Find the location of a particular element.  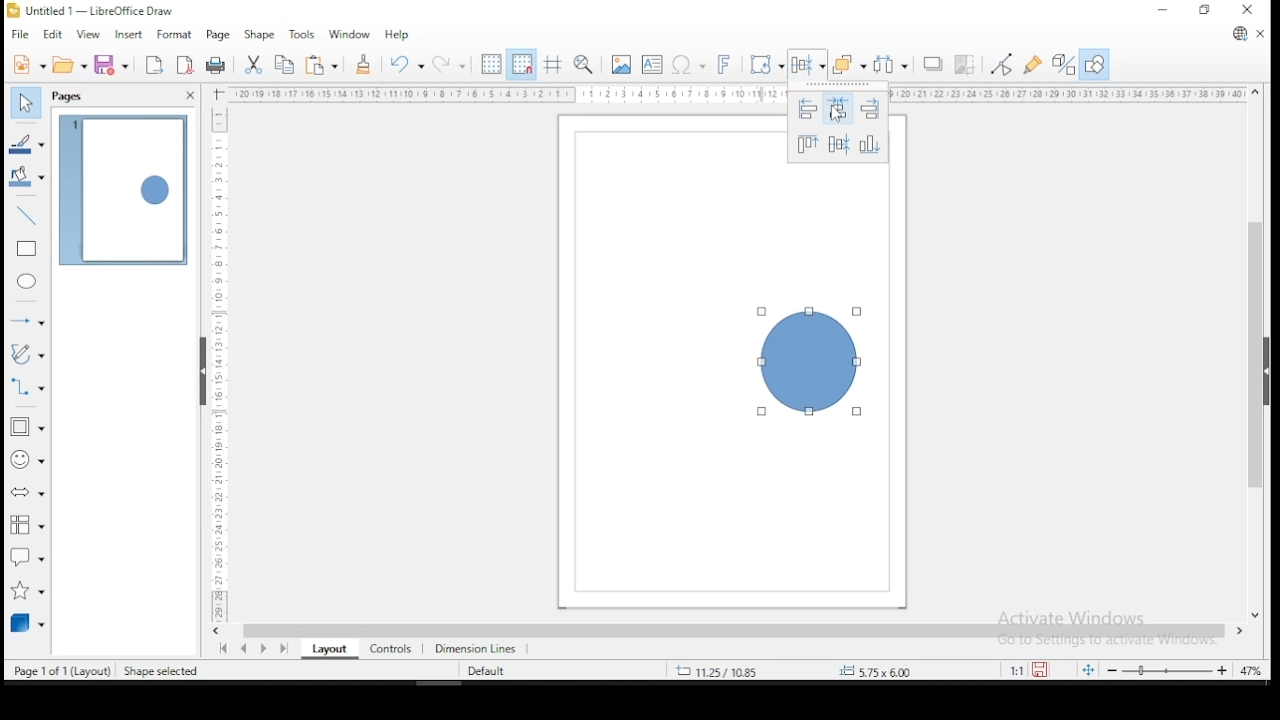

horizontal scale is located at coordinates (738, 94).